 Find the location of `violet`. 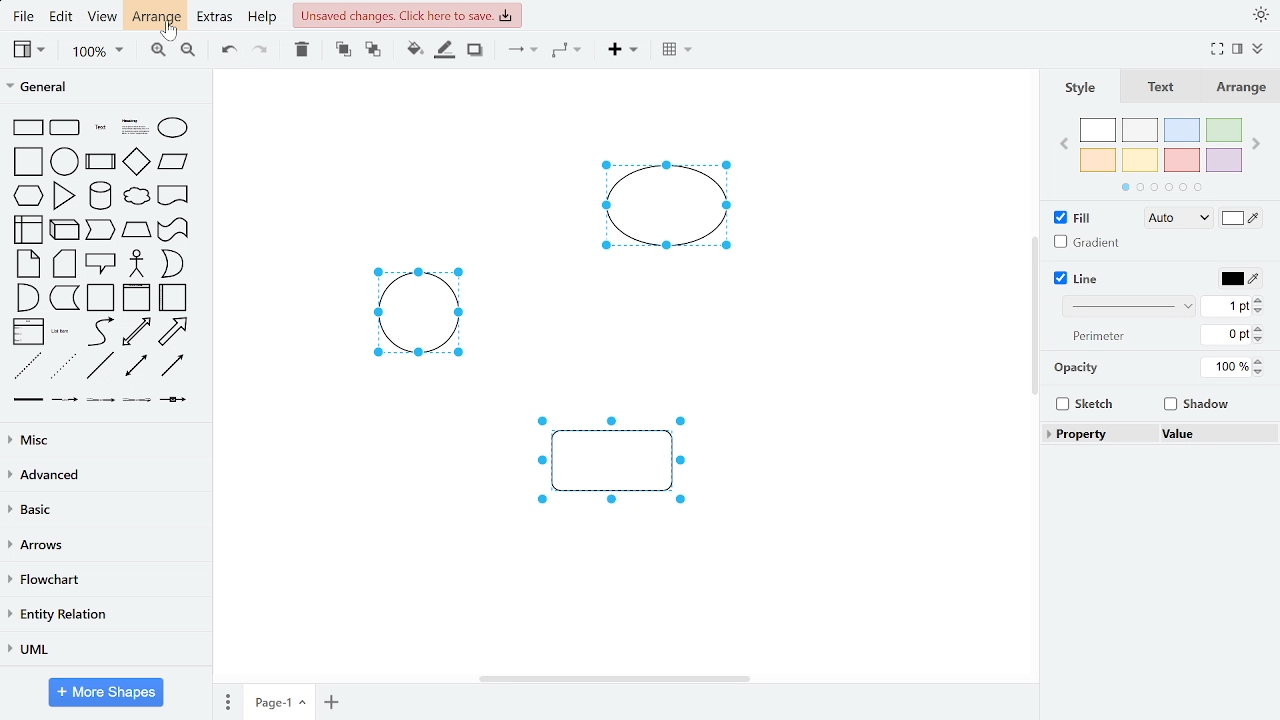

violet is located at coordinates (1223, 160).